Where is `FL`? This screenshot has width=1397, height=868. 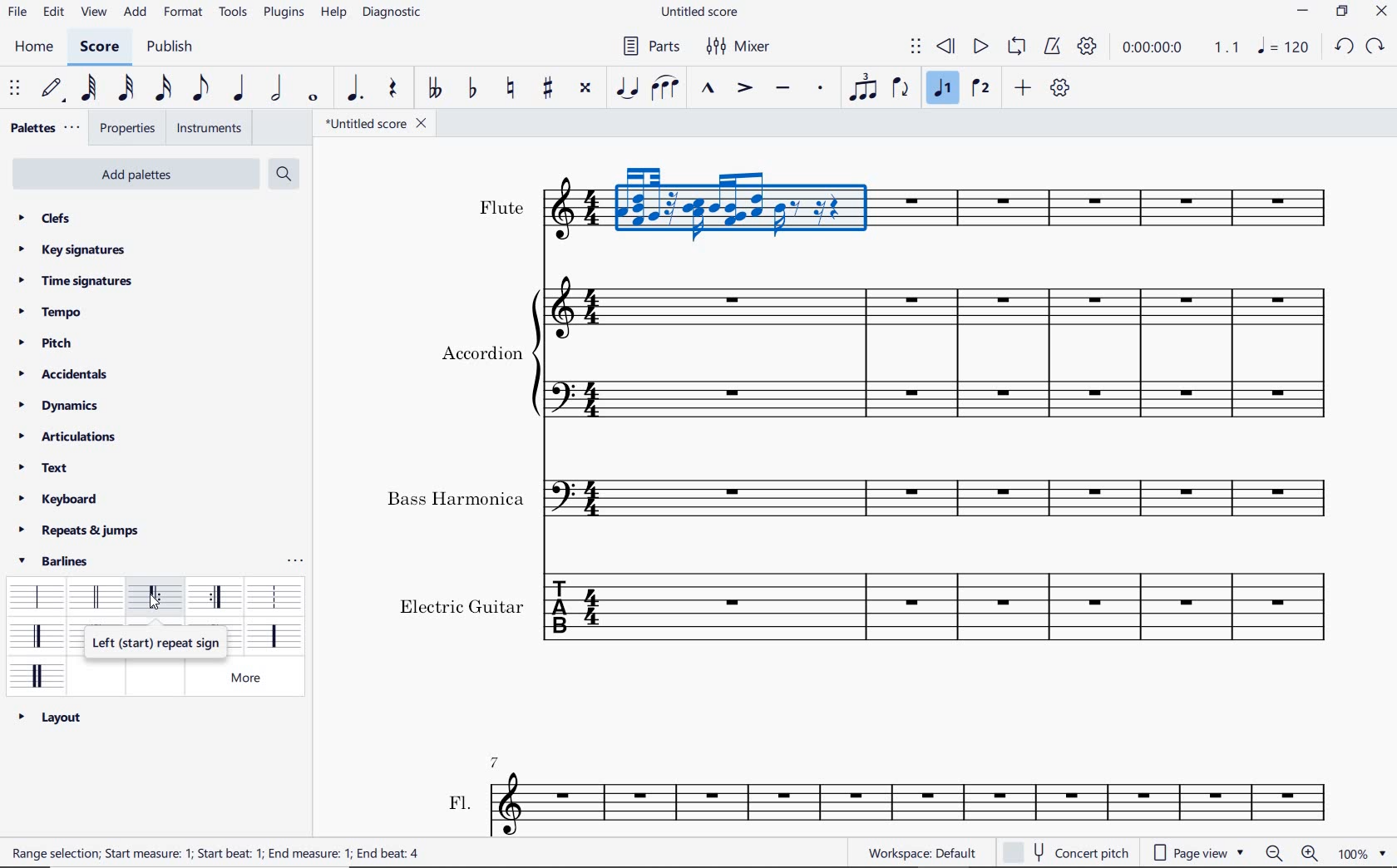 FL is located at coordinates (914, 803).